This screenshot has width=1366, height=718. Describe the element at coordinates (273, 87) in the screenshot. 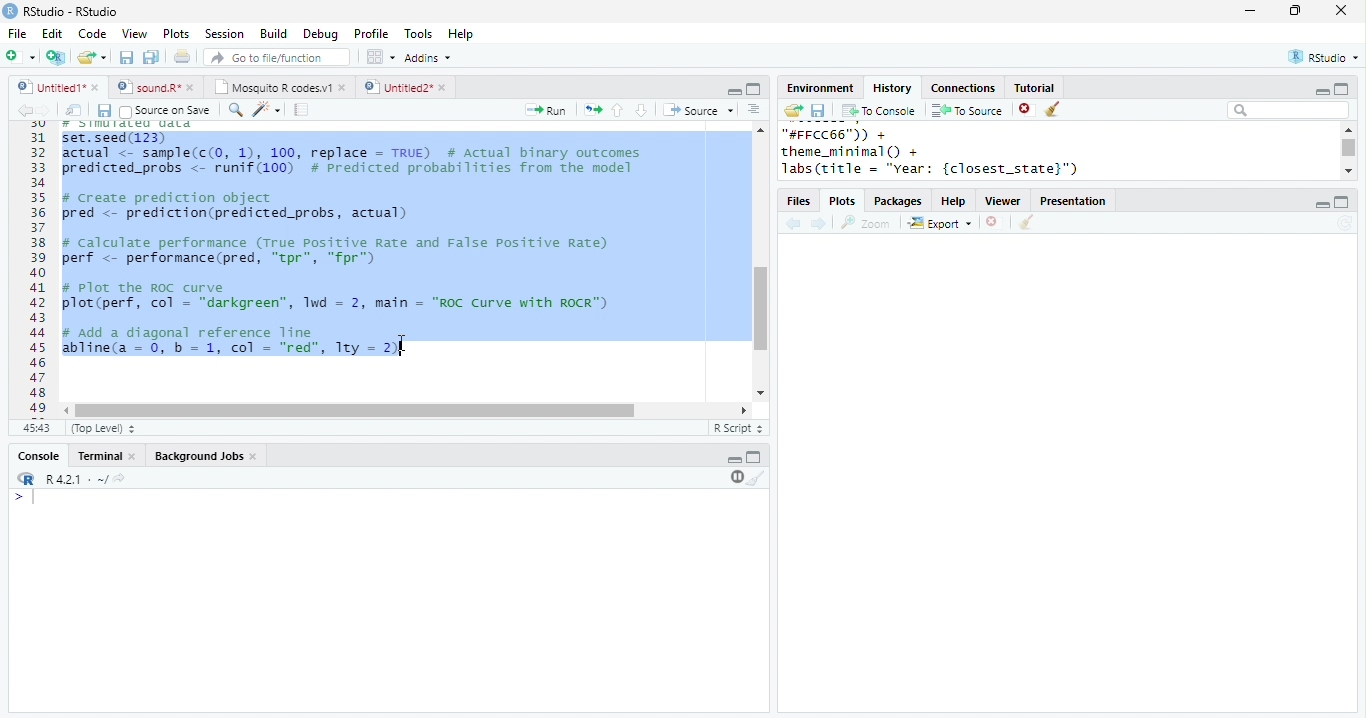

I see `Mosquito R codes.v1` at that location.